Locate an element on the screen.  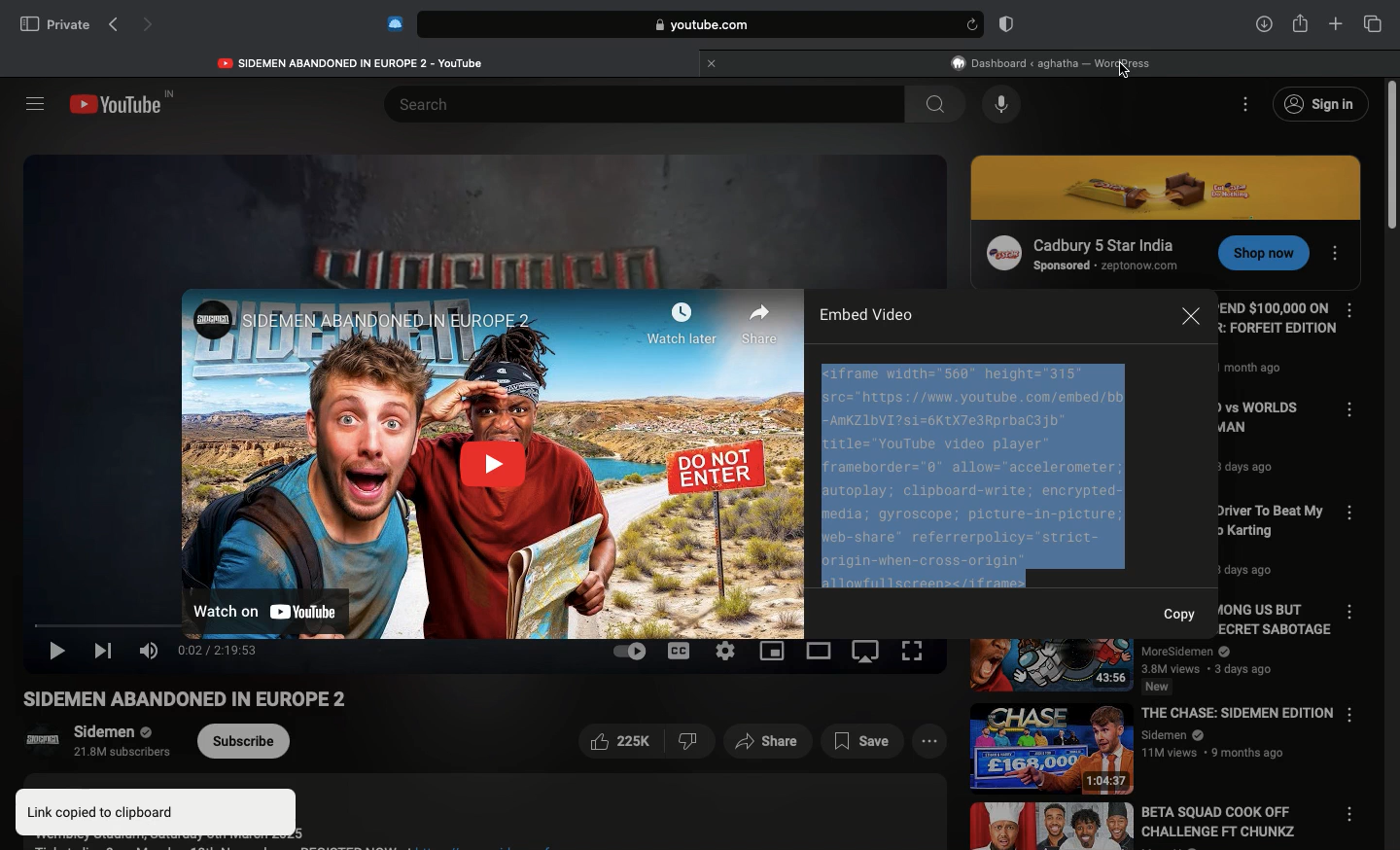
Tabs is located at coordinates (1373, 23).